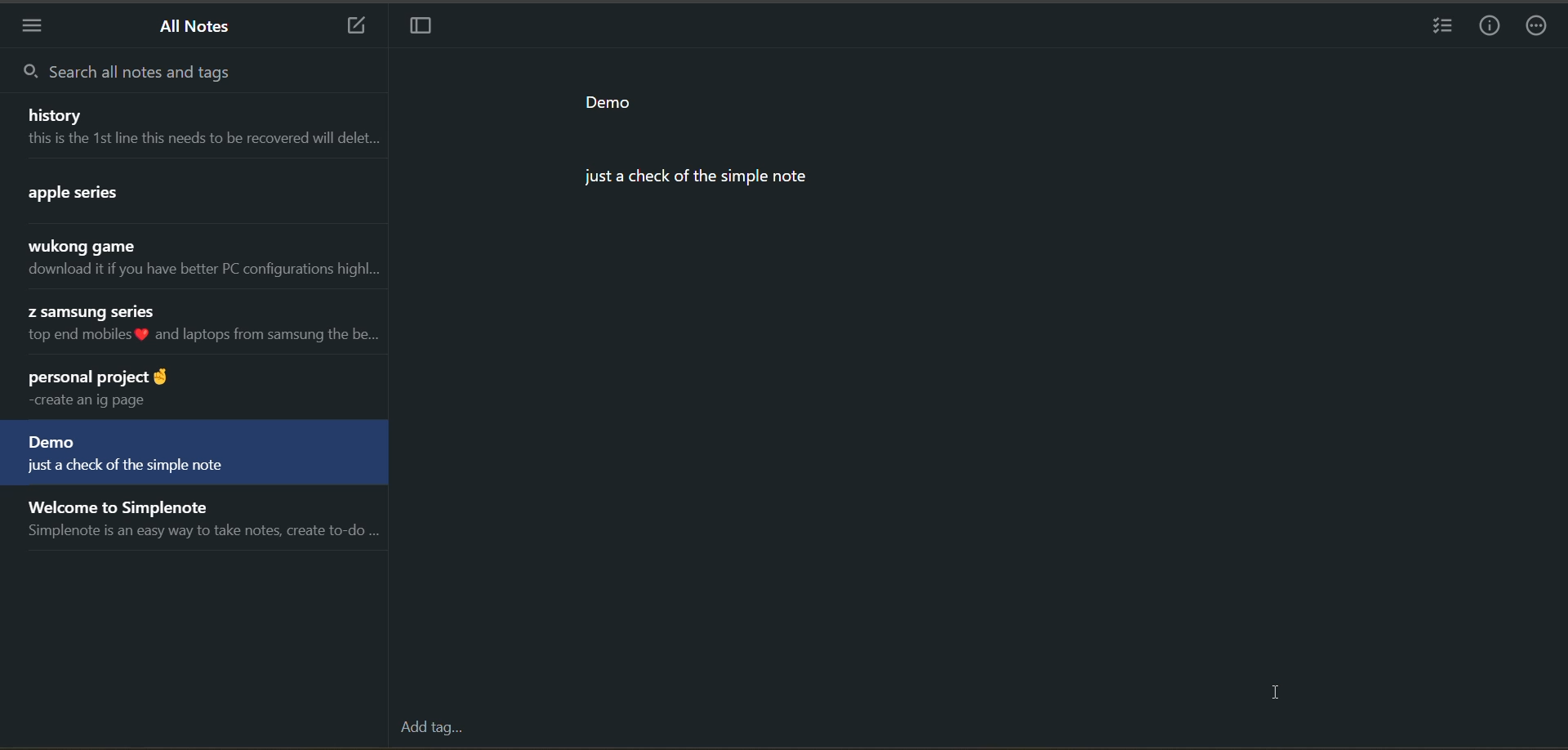 Image resolution: width=1568 pixels, height=750 pixels. What do you see at coordinates (1541, 28) in the screenshot?
I see `actions` at bounding box center [1541, 28].